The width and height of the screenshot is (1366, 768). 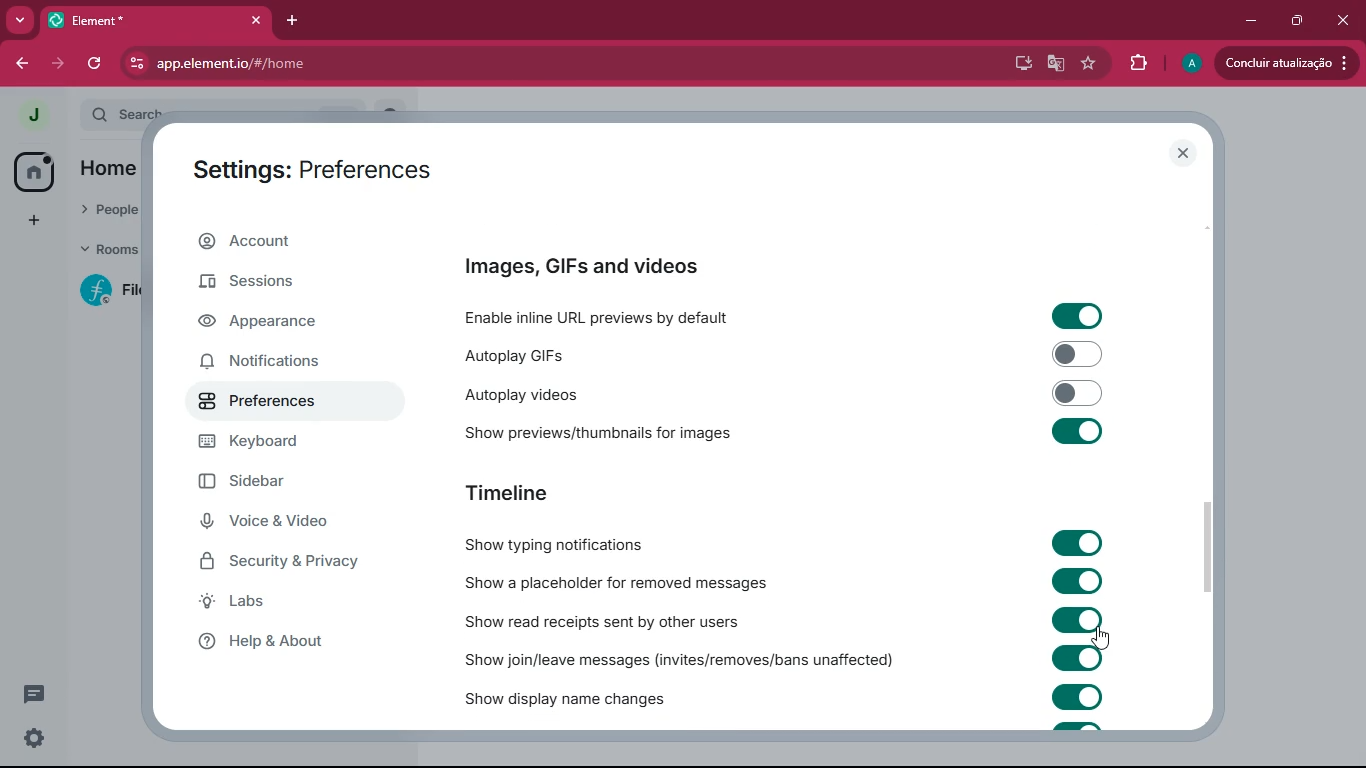 What do you see at coordinates (257, 21) in the screenshot?
I see `close tab` at bounding box center [257, 21].